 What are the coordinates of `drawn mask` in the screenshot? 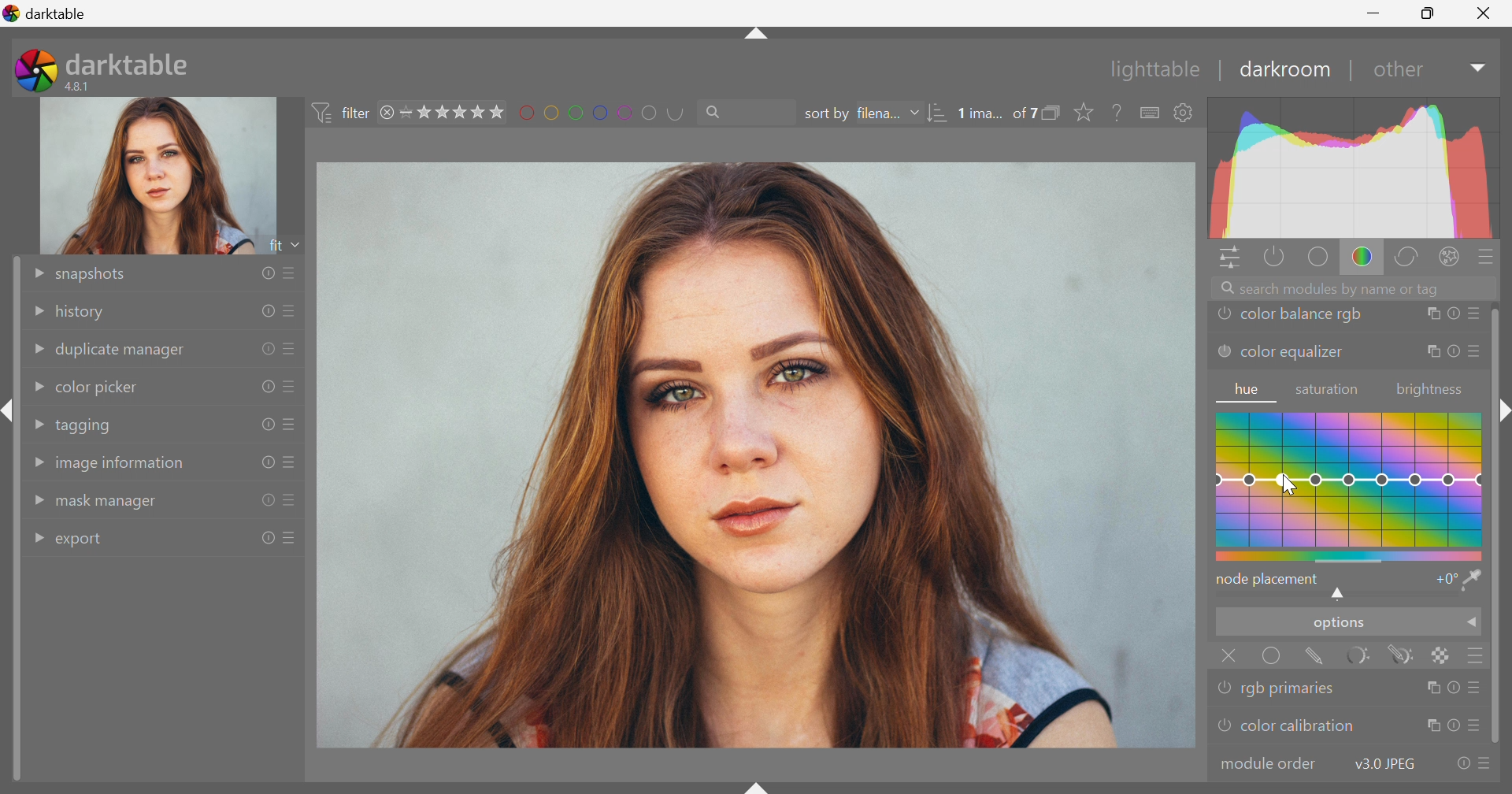 It's located at (1319, 658).